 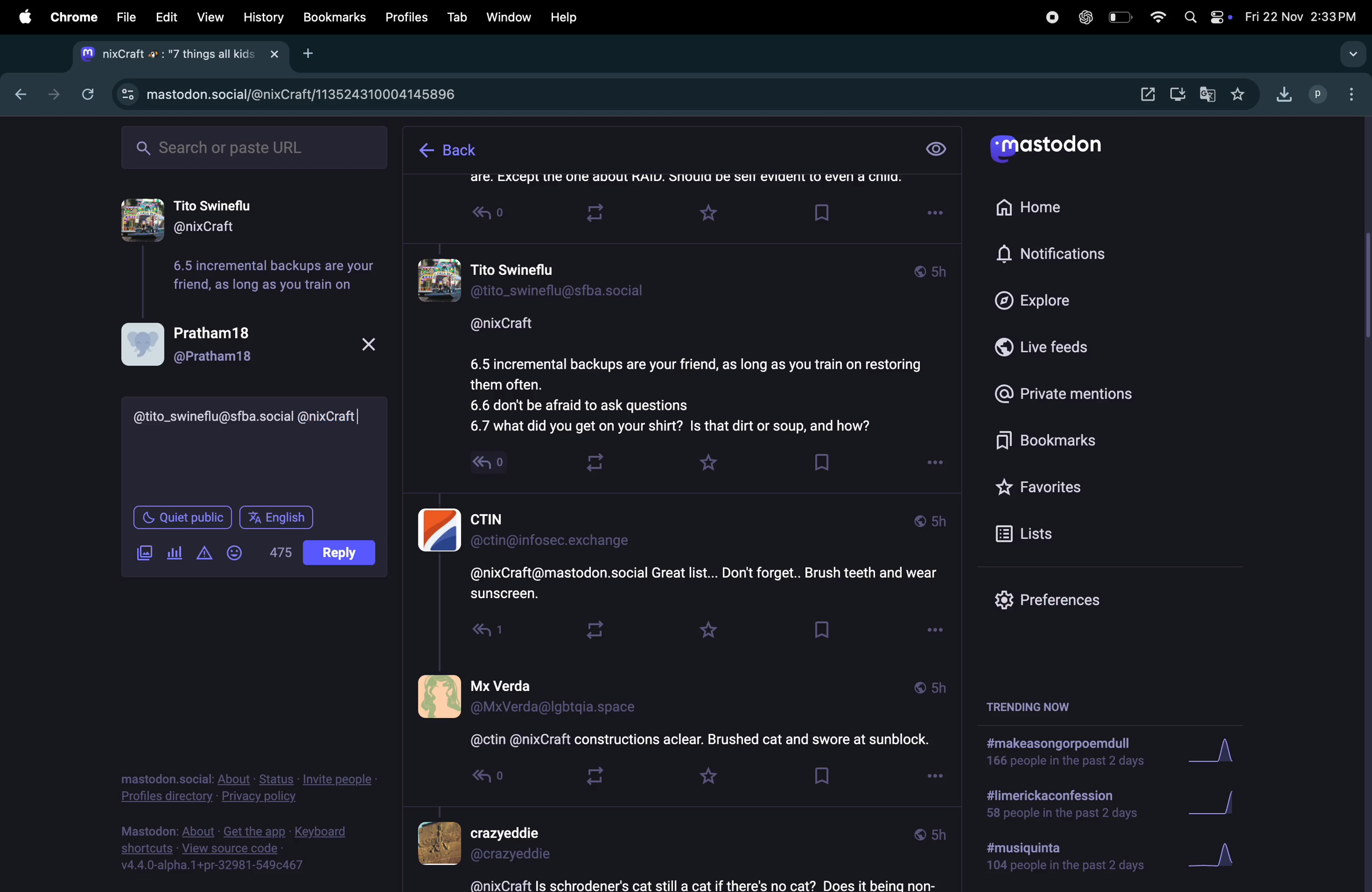 What do you see at coordinates (682, 186) in the screenshot?
I see `thread` at bounding box center [682, 186].